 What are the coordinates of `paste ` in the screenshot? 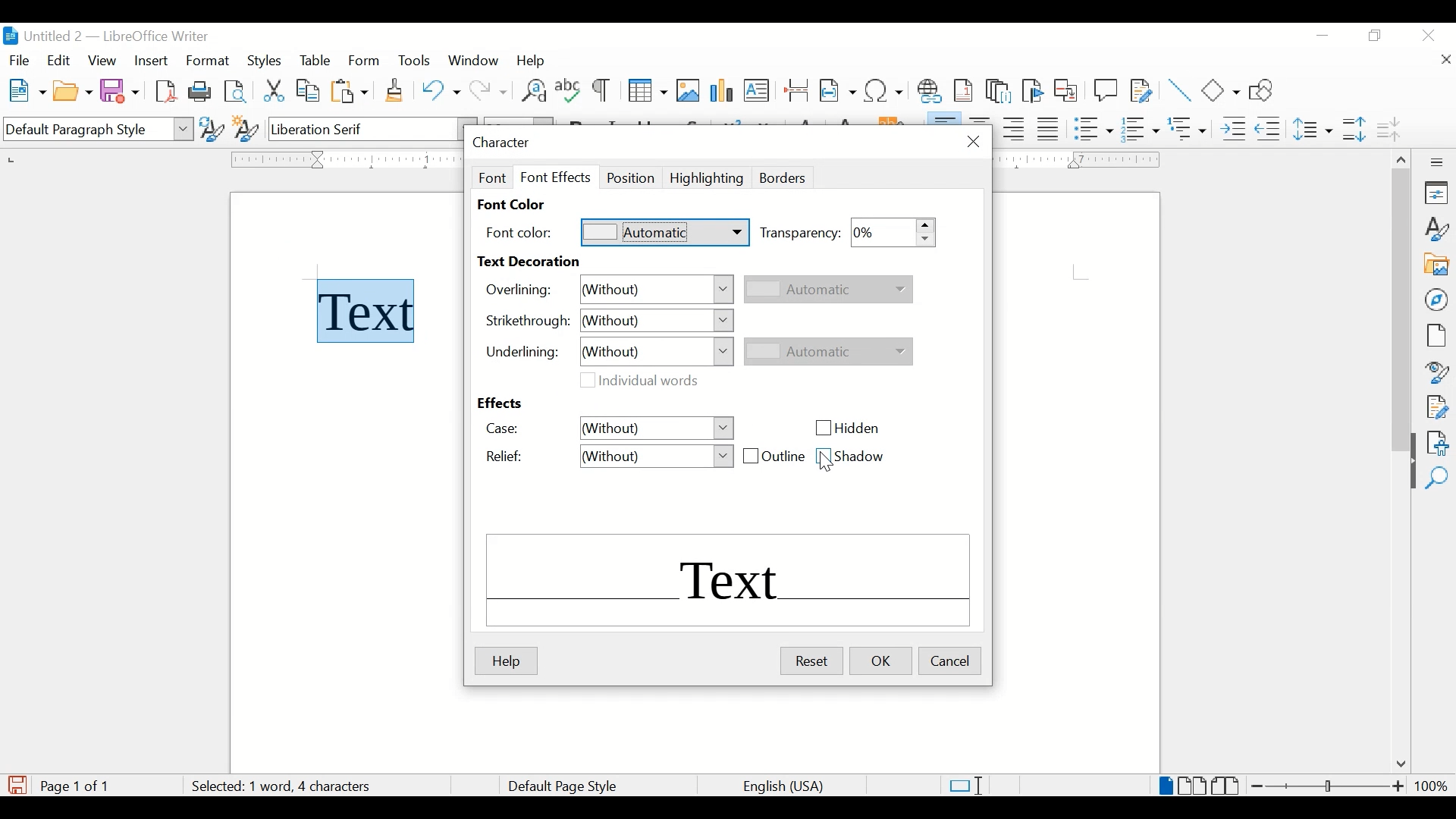 It's located at (350, 91).